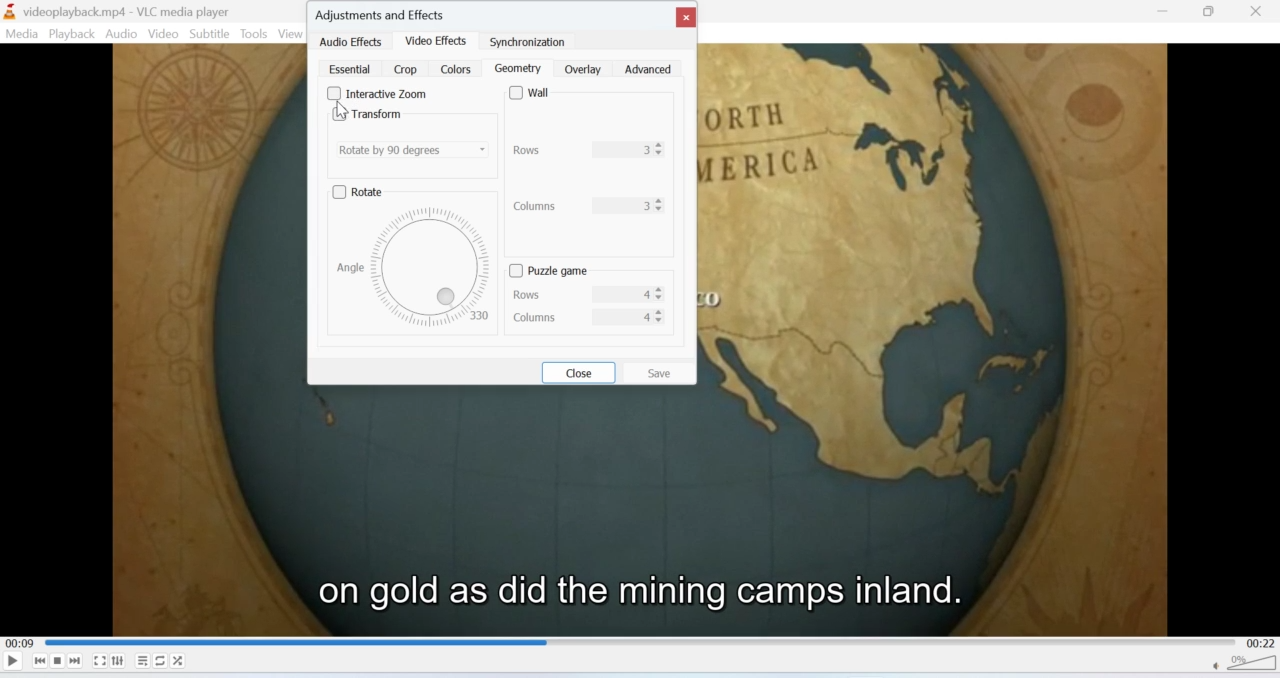 The width and height of the screenshot is (1280, 678). I want to click on Extended settings, so click(117, 660).